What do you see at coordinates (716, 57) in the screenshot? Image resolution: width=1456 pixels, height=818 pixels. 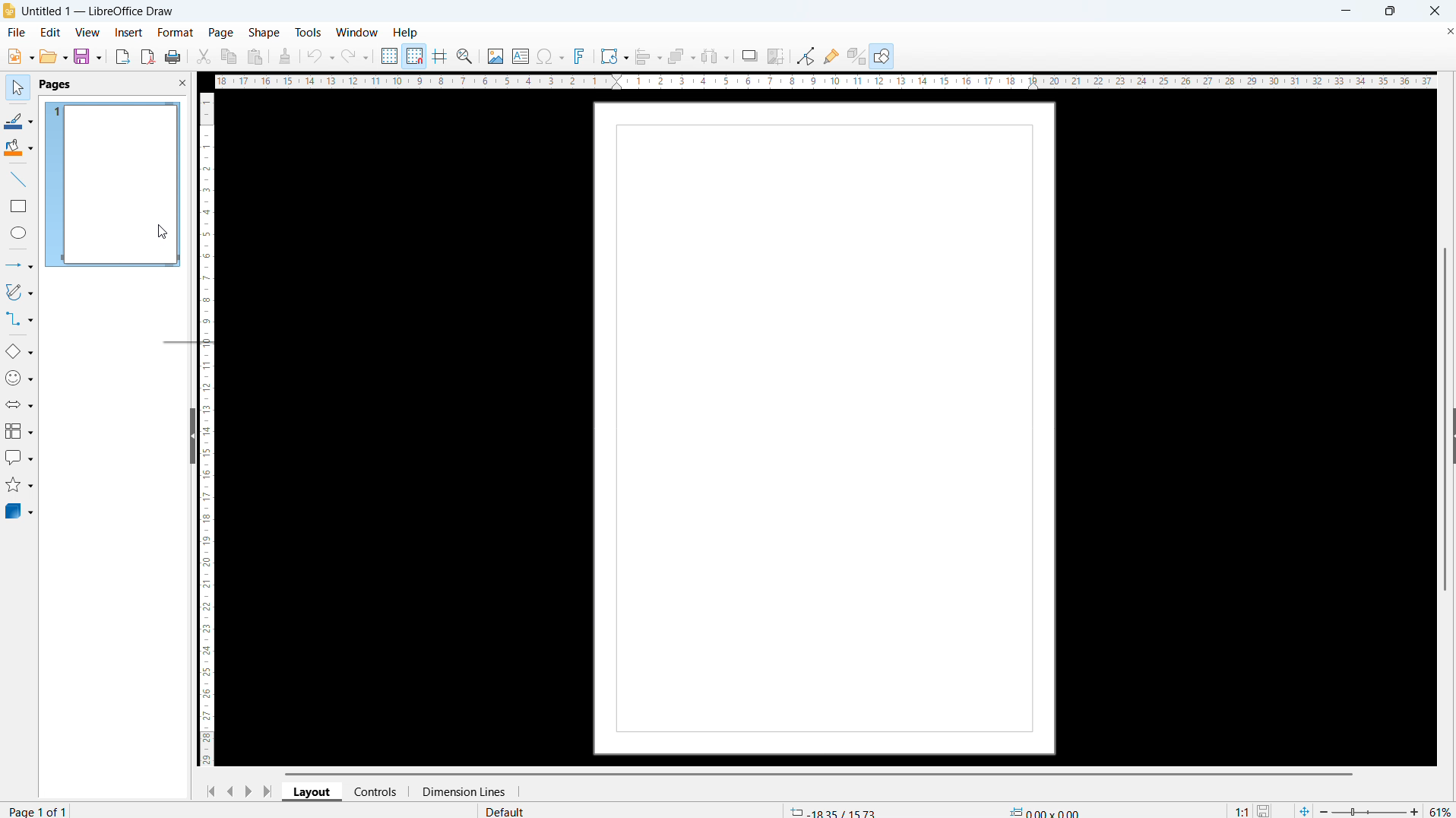 I see `select at least three objects to distribute` at bounding box center [716, 57].